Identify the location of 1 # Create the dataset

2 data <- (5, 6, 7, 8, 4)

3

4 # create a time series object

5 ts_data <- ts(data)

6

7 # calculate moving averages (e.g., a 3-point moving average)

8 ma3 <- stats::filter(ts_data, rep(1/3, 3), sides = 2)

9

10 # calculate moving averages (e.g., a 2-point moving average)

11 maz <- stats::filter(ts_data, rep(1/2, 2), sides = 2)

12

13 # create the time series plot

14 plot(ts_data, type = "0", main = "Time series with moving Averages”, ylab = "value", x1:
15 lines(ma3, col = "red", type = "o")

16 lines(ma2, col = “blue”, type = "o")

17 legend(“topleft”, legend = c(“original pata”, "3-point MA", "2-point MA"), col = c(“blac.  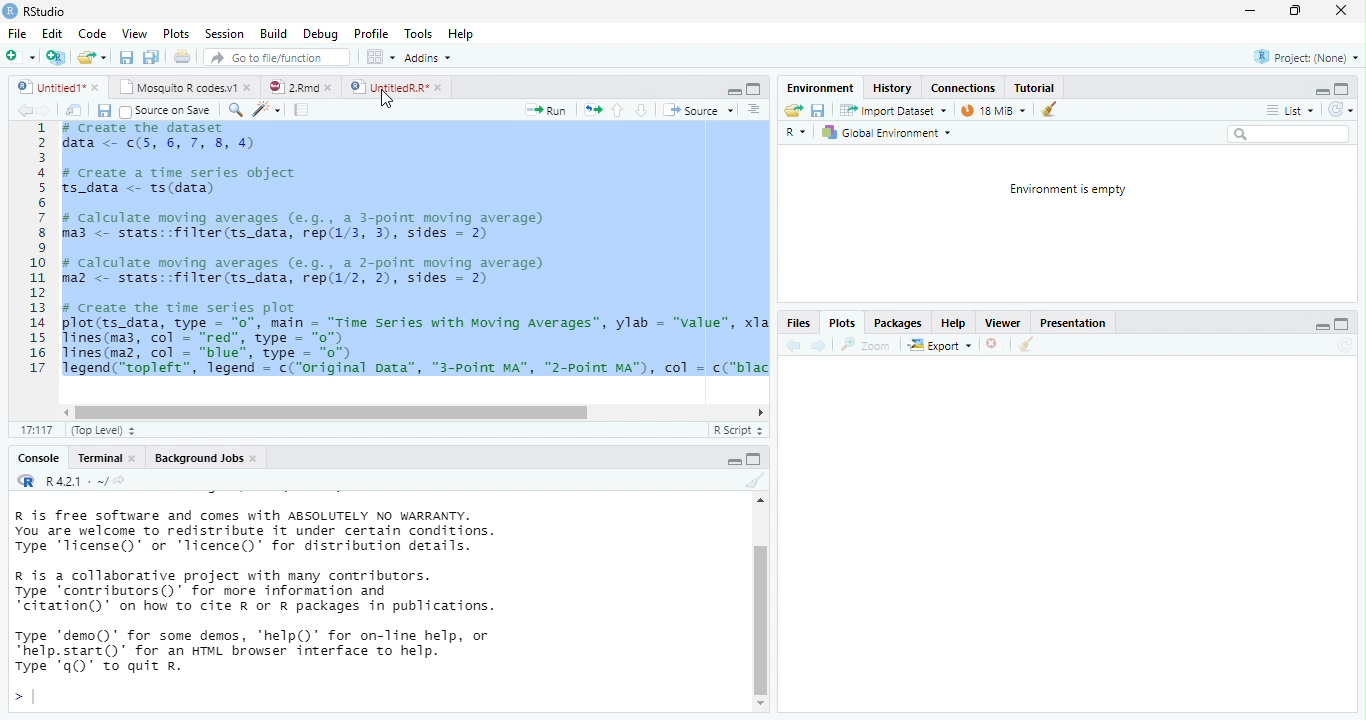
(396, 255).